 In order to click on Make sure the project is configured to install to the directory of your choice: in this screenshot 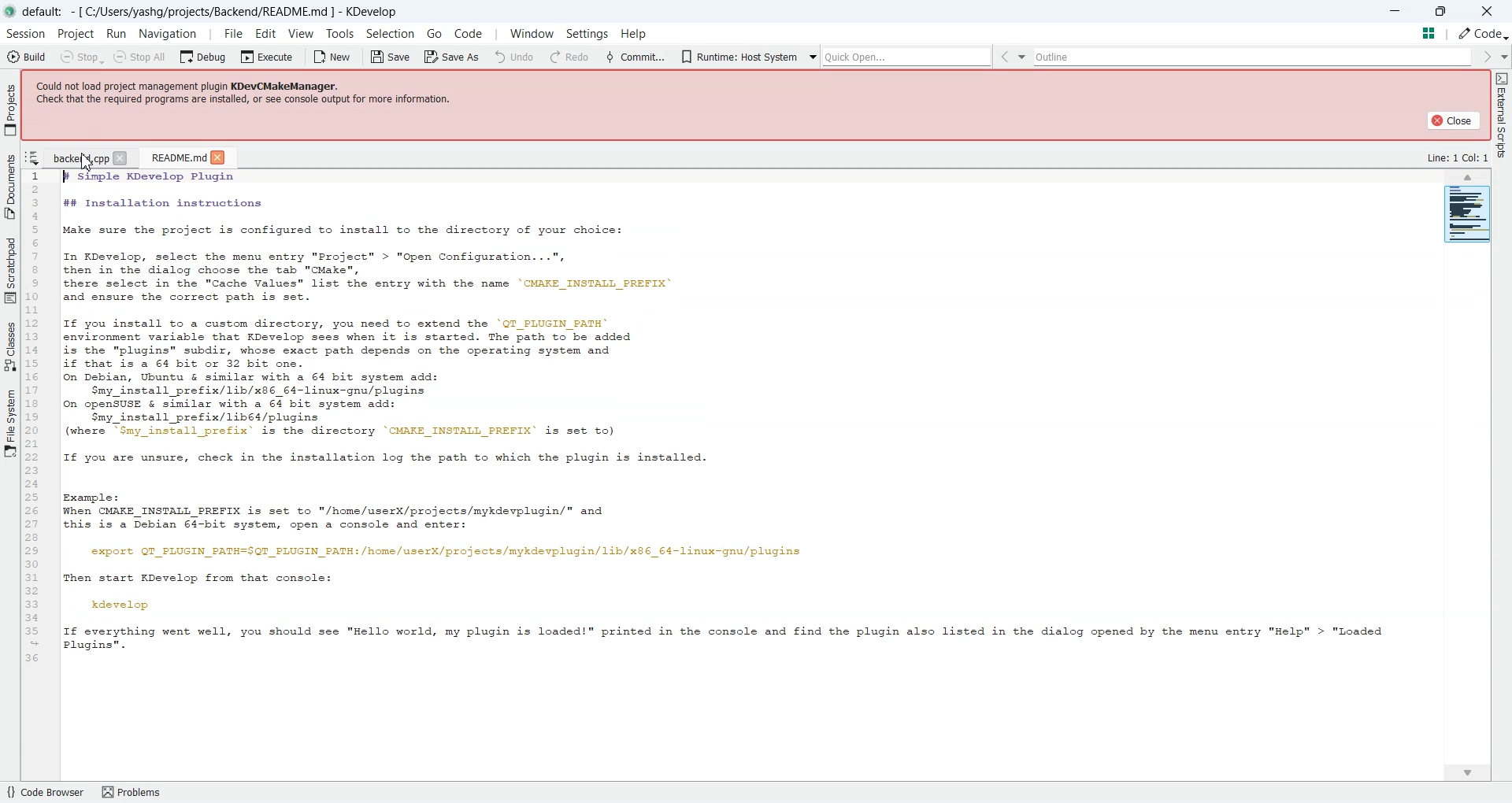, I will do `click(339, 231)`.